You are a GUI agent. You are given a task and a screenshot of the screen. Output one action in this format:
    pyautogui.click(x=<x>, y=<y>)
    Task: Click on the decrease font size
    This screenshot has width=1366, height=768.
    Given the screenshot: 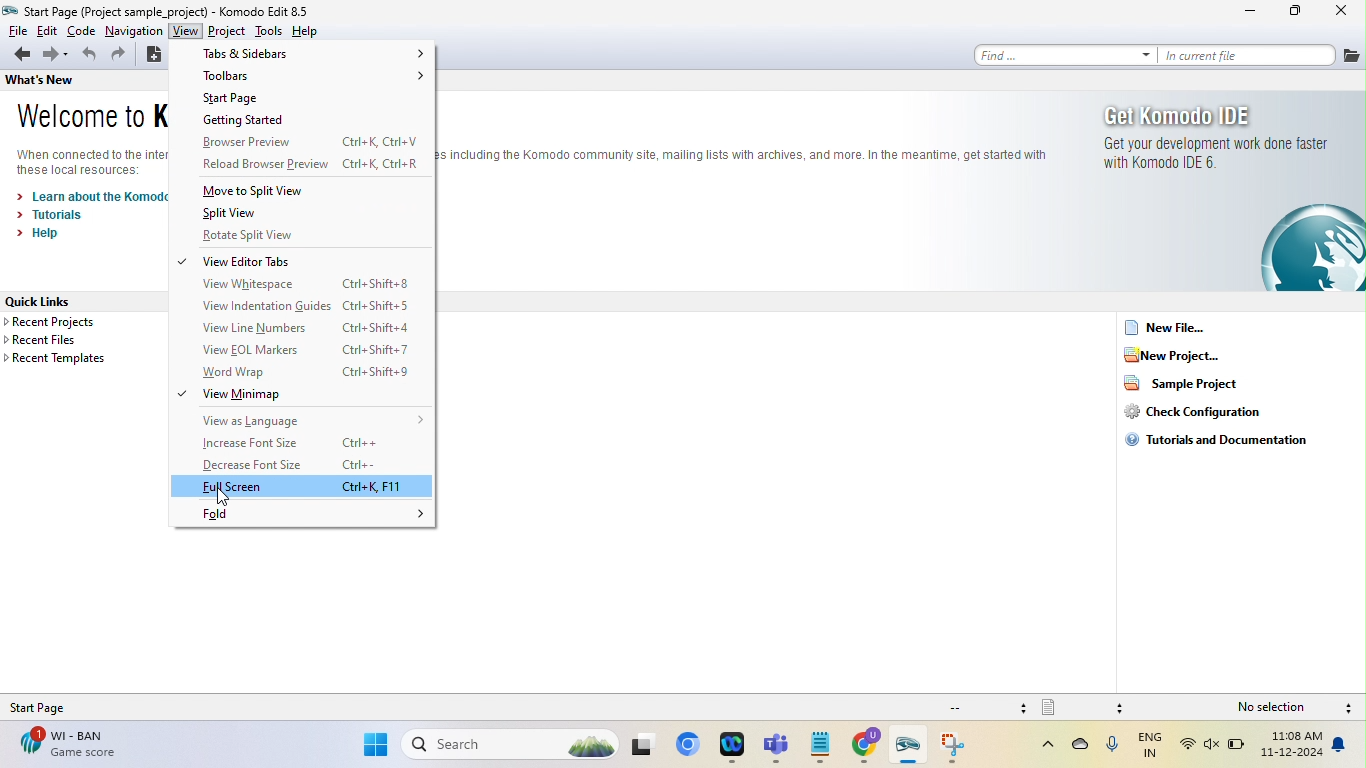 What is the action you would take?
    pyautogui.click(x=301, y=466)
    